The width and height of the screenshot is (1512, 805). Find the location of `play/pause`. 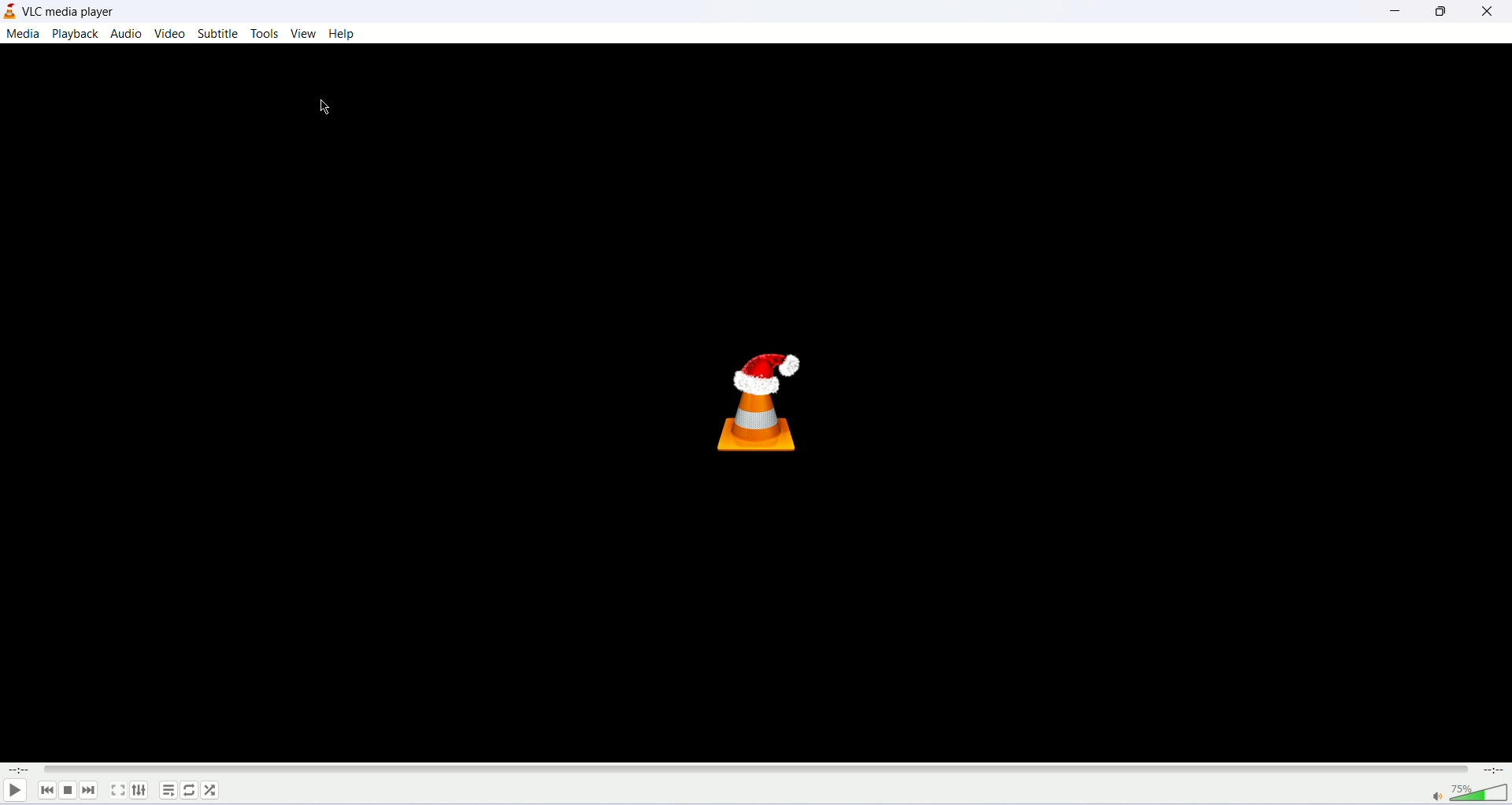

play/pause is located at coordinates (13, 791).